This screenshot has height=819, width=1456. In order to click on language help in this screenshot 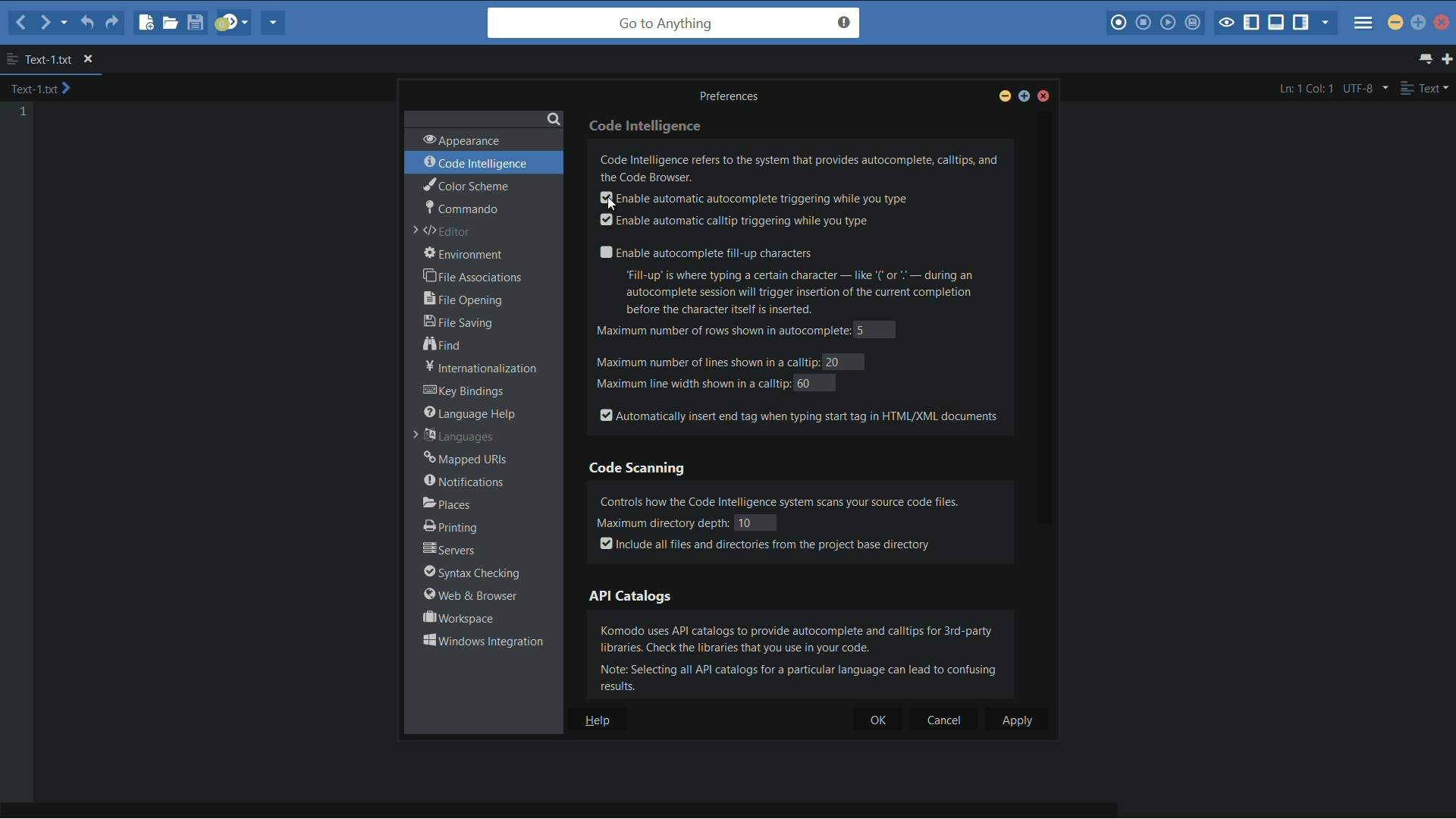, I will do `click(470, 413)`.